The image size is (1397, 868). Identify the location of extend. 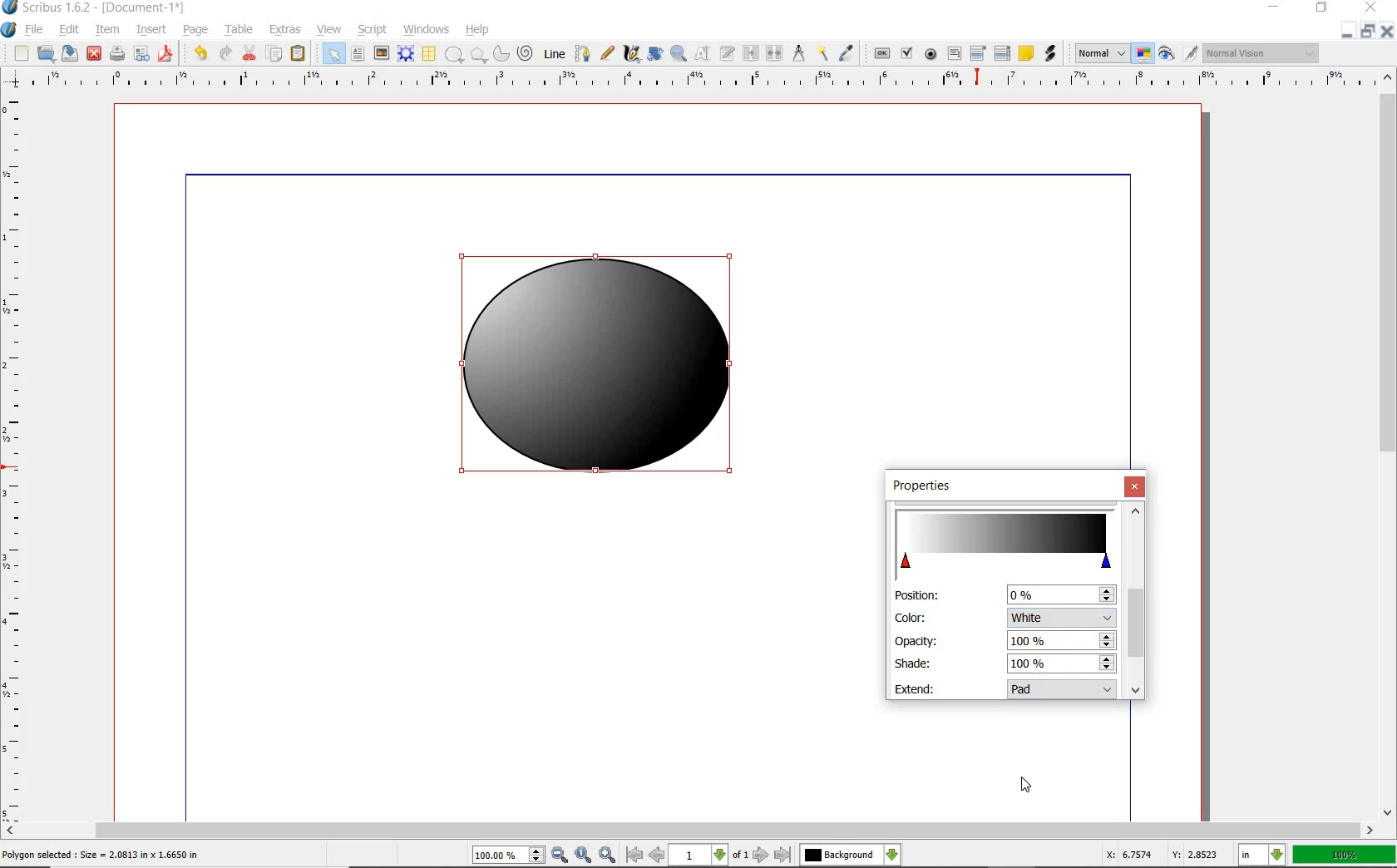
(916, 688).